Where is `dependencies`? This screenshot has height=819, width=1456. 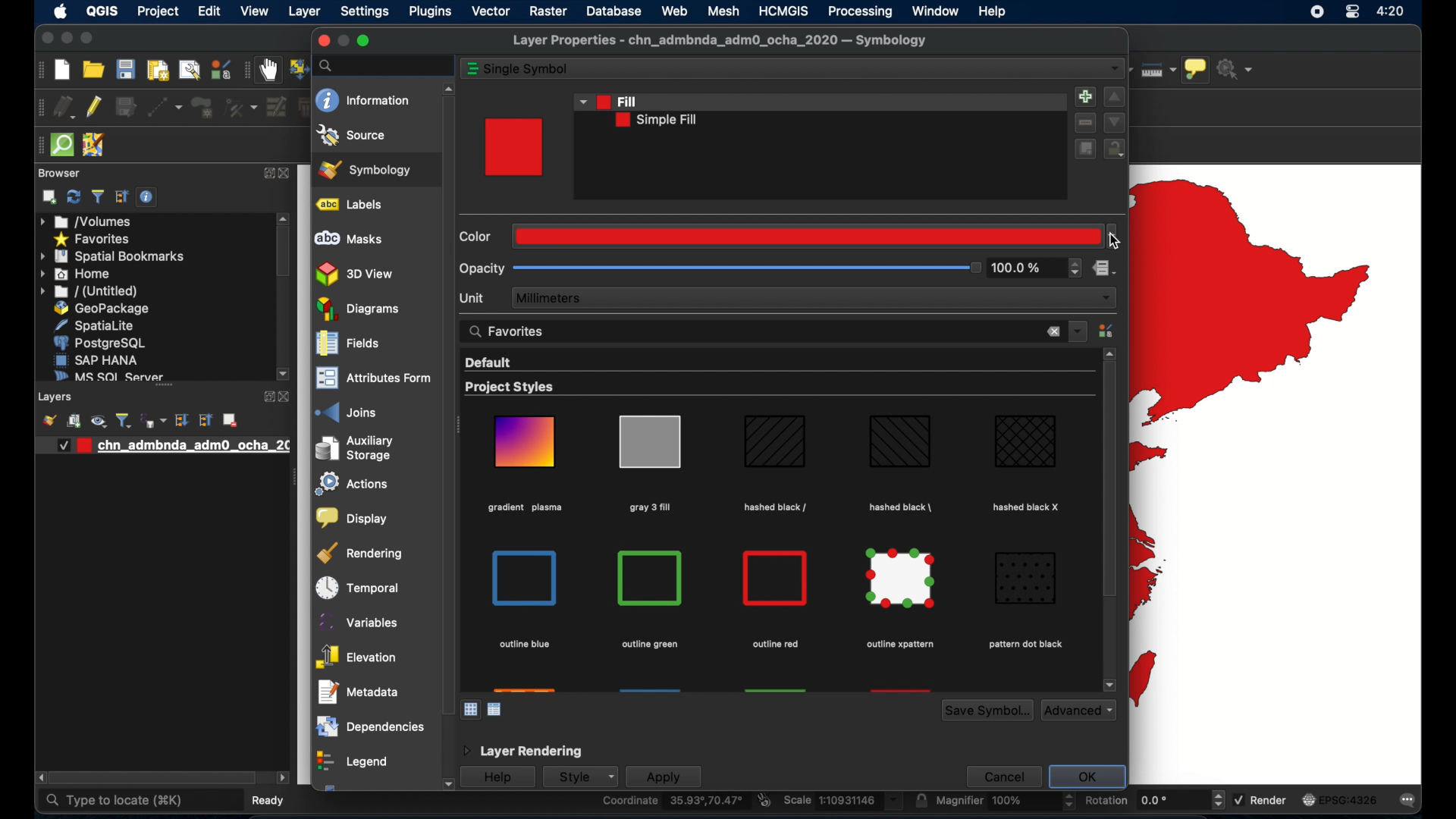 dependencies is located at coordinates (369, 726).